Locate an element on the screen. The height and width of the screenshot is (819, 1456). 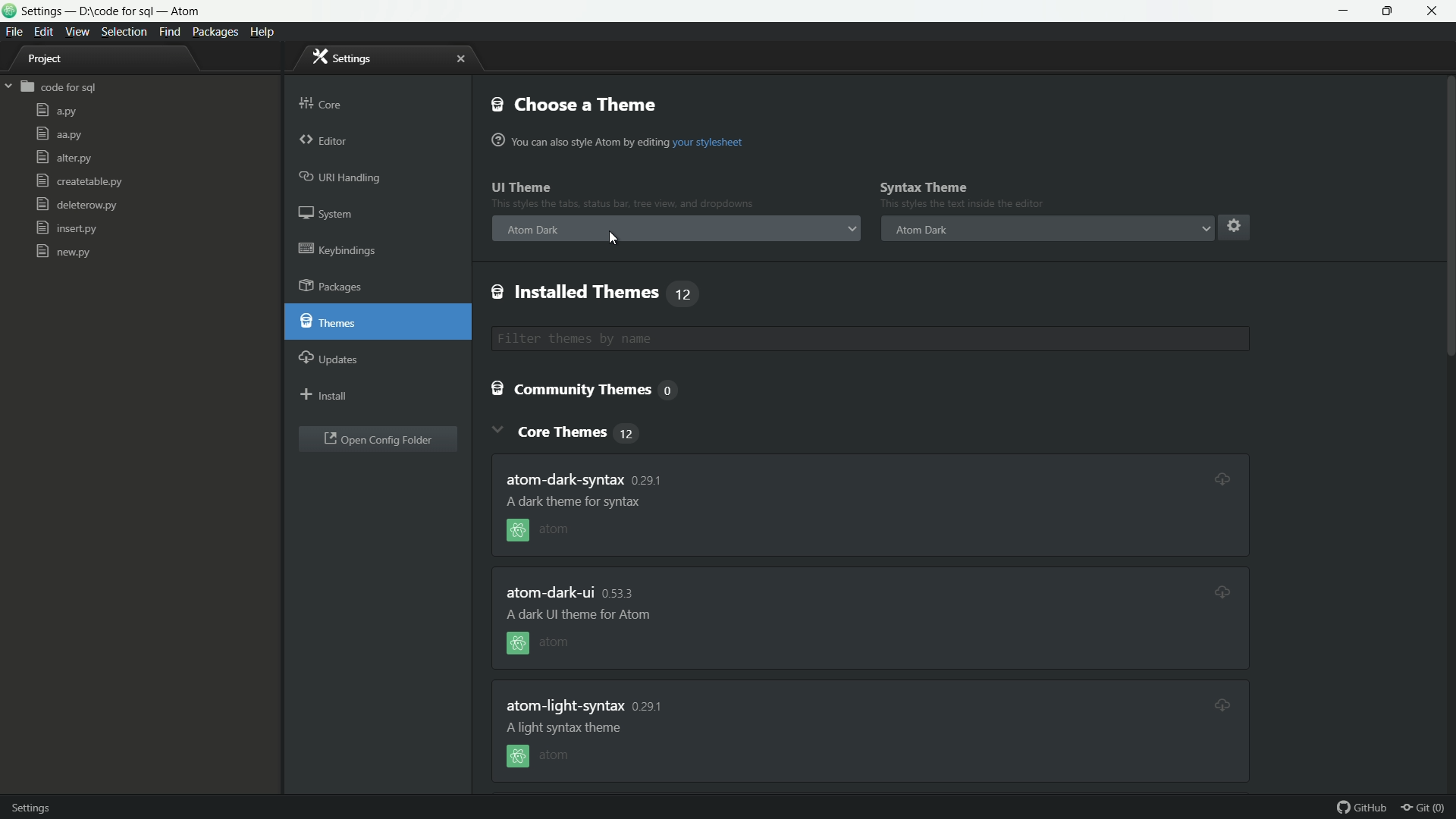
installed themes is located at coordinates (595, 293).